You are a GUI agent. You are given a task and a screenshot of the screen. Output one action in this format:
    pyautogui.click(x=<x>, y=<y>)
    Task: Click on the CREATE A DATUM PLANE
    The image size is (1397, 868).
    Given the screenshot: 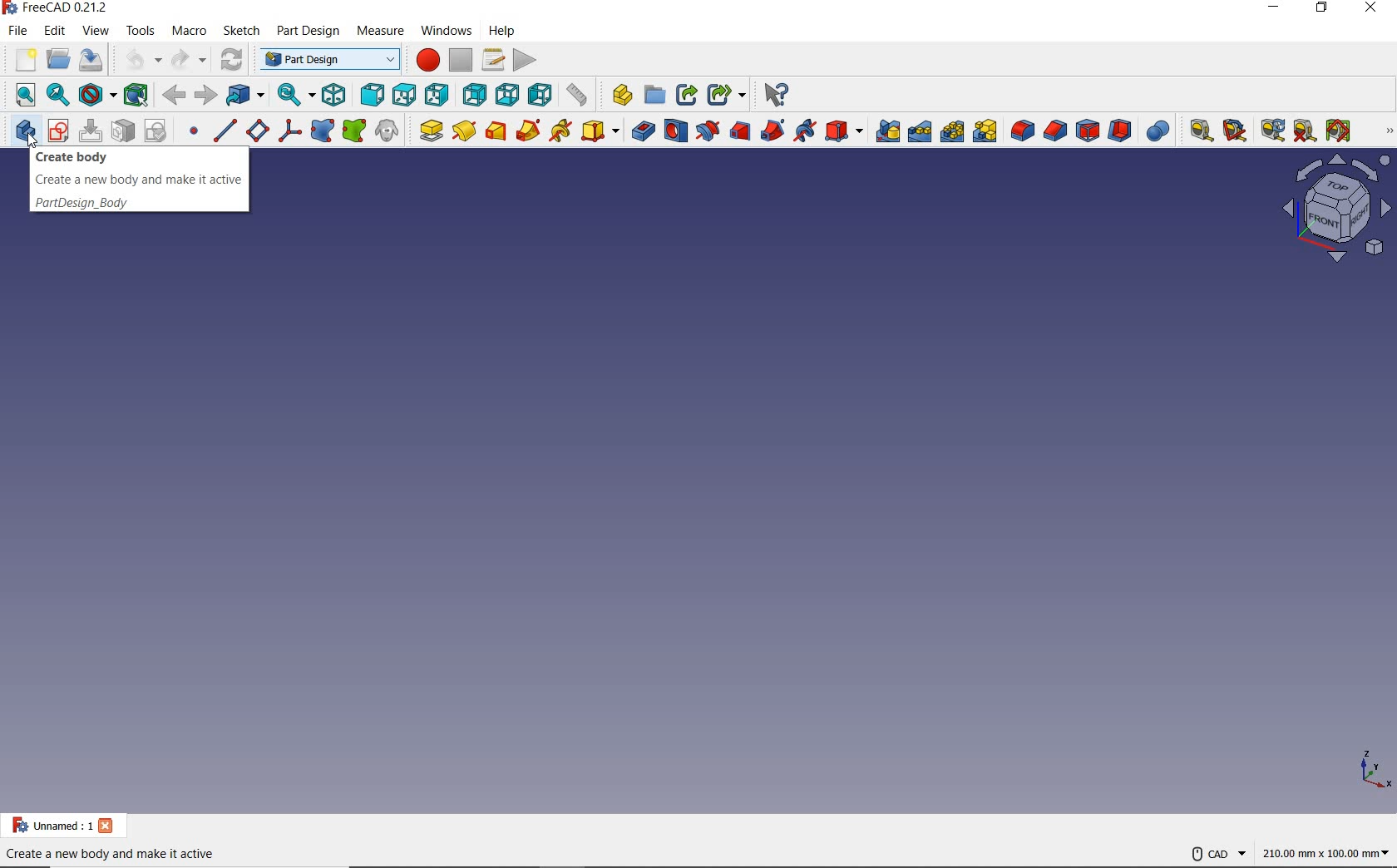 What is the action you would take?
    pyautogui.click(x=257, y=131)
    